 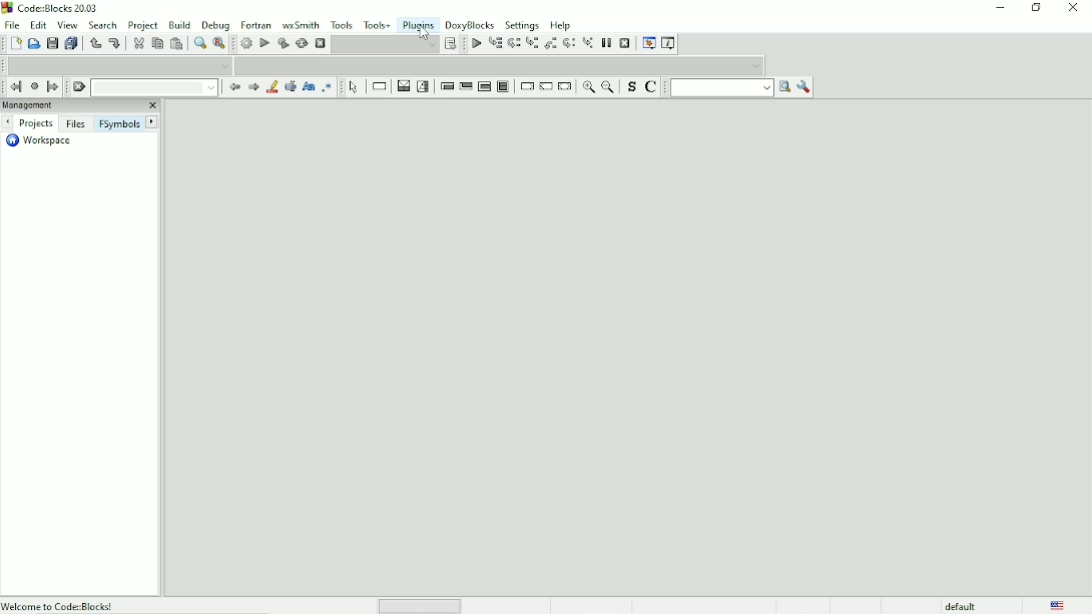 What do you see at coordinates (475, 44) in the screenshot?
I see `Run to cursor` at bounding box center [475, 44].